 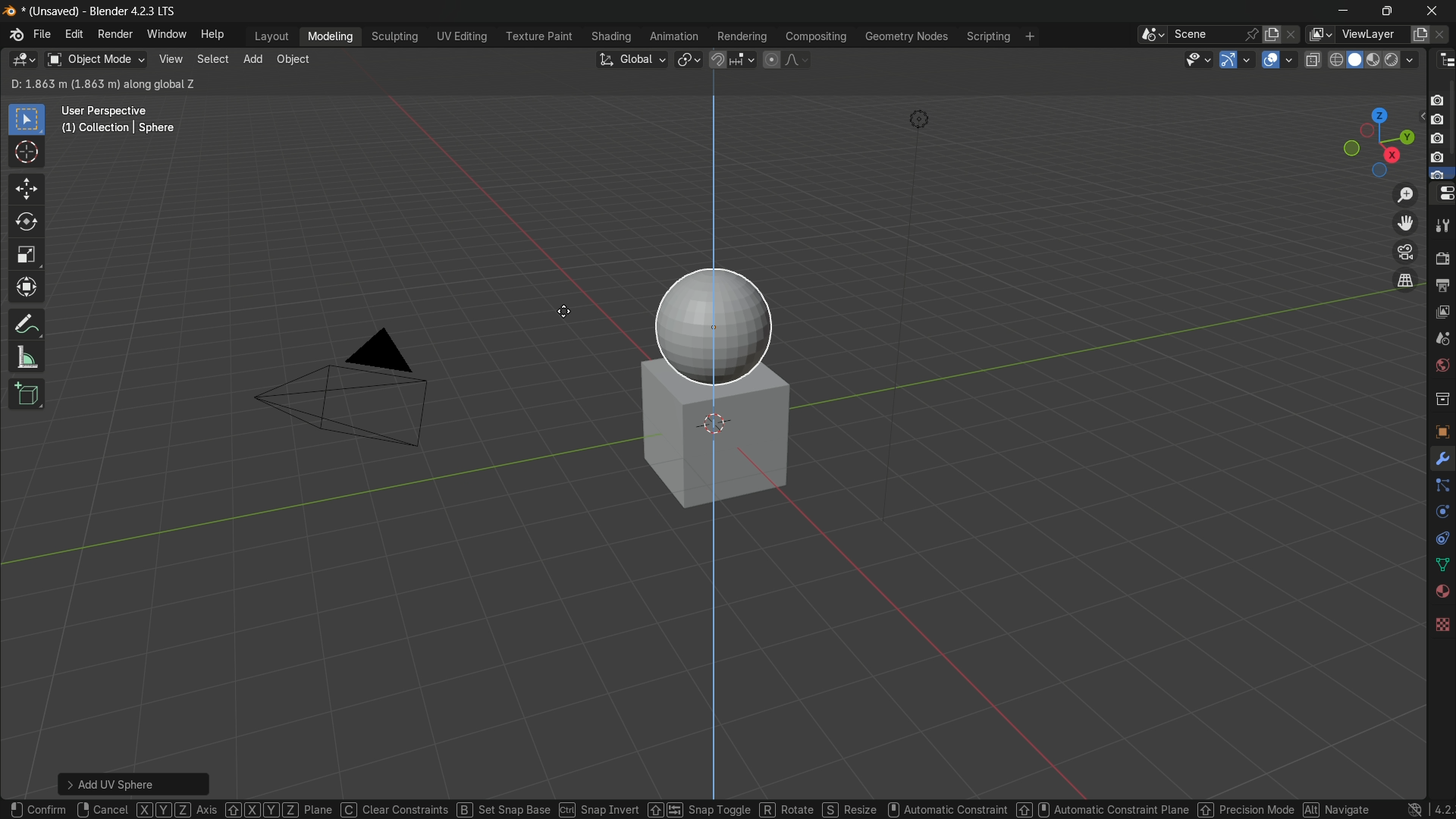 What do you see at coordinates (55, 83) in the screenshot?
I see `subtract existing selection` at bounding box center [55, 83].